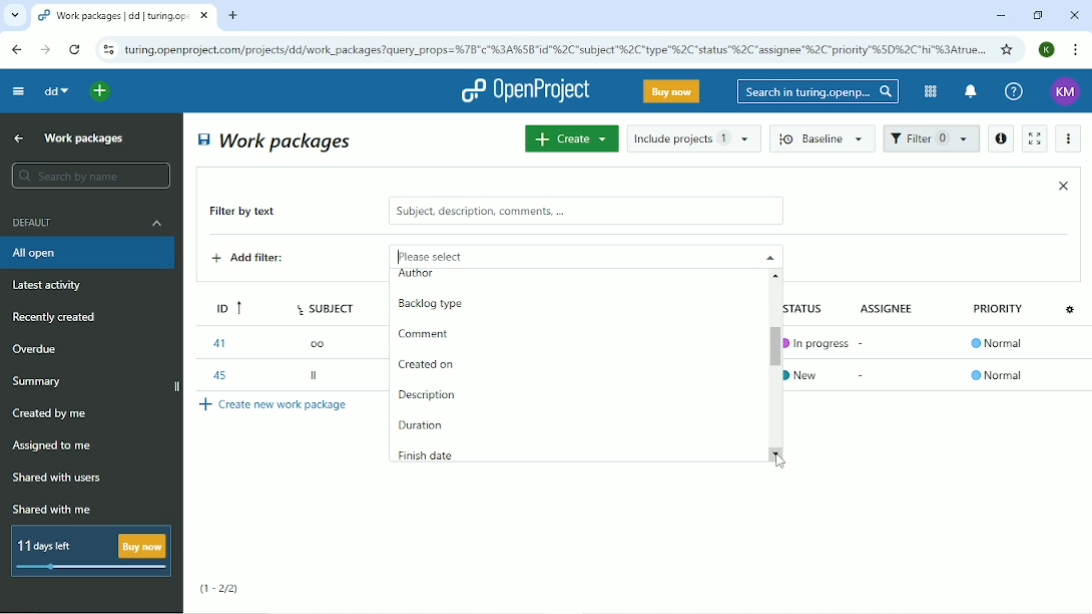 The image size is (1092, 614). I want to click on Finish date, so click(427, 456).